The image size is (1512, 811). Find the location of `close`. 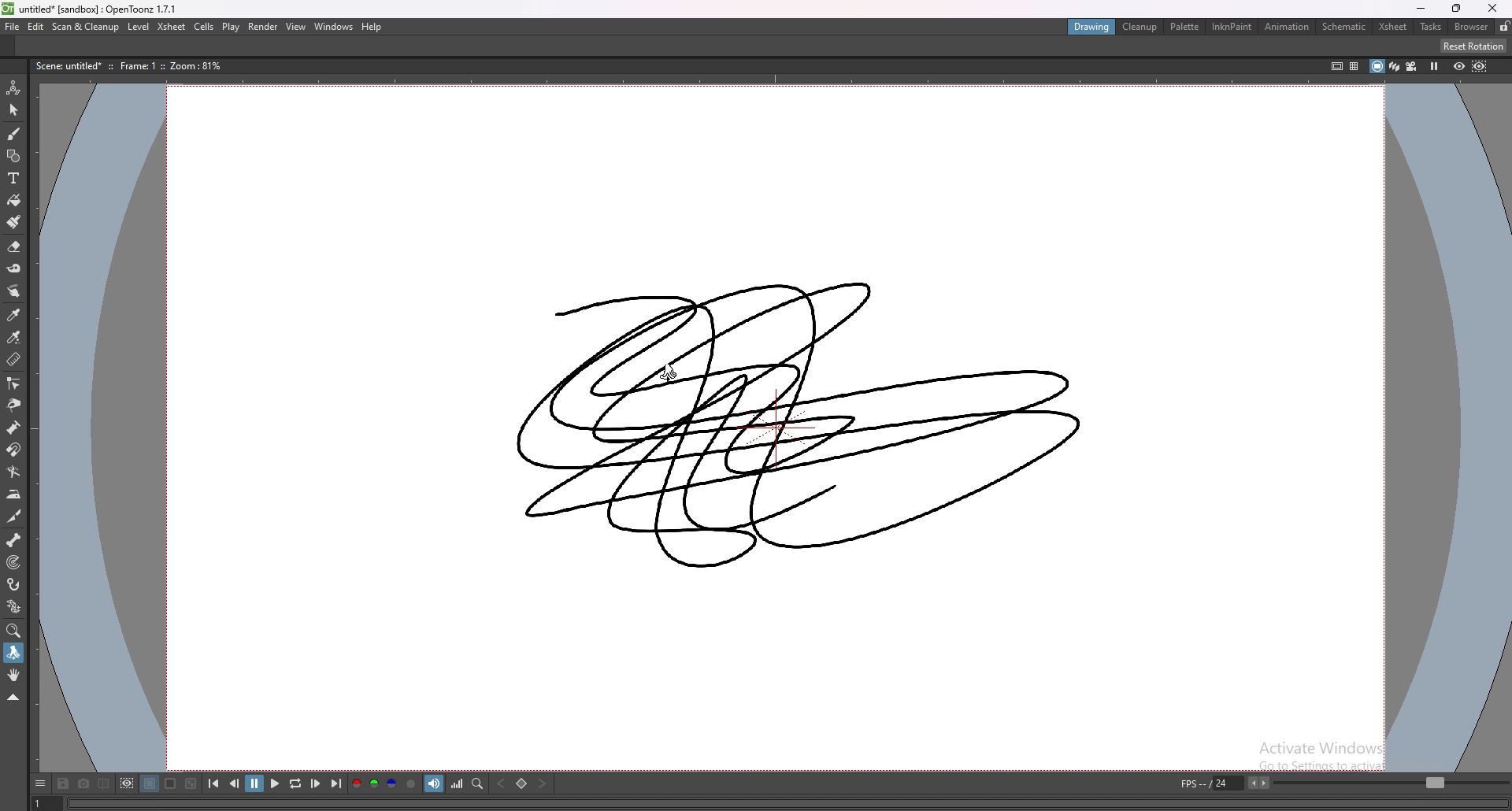

close is located at coordinates (1493, 9).